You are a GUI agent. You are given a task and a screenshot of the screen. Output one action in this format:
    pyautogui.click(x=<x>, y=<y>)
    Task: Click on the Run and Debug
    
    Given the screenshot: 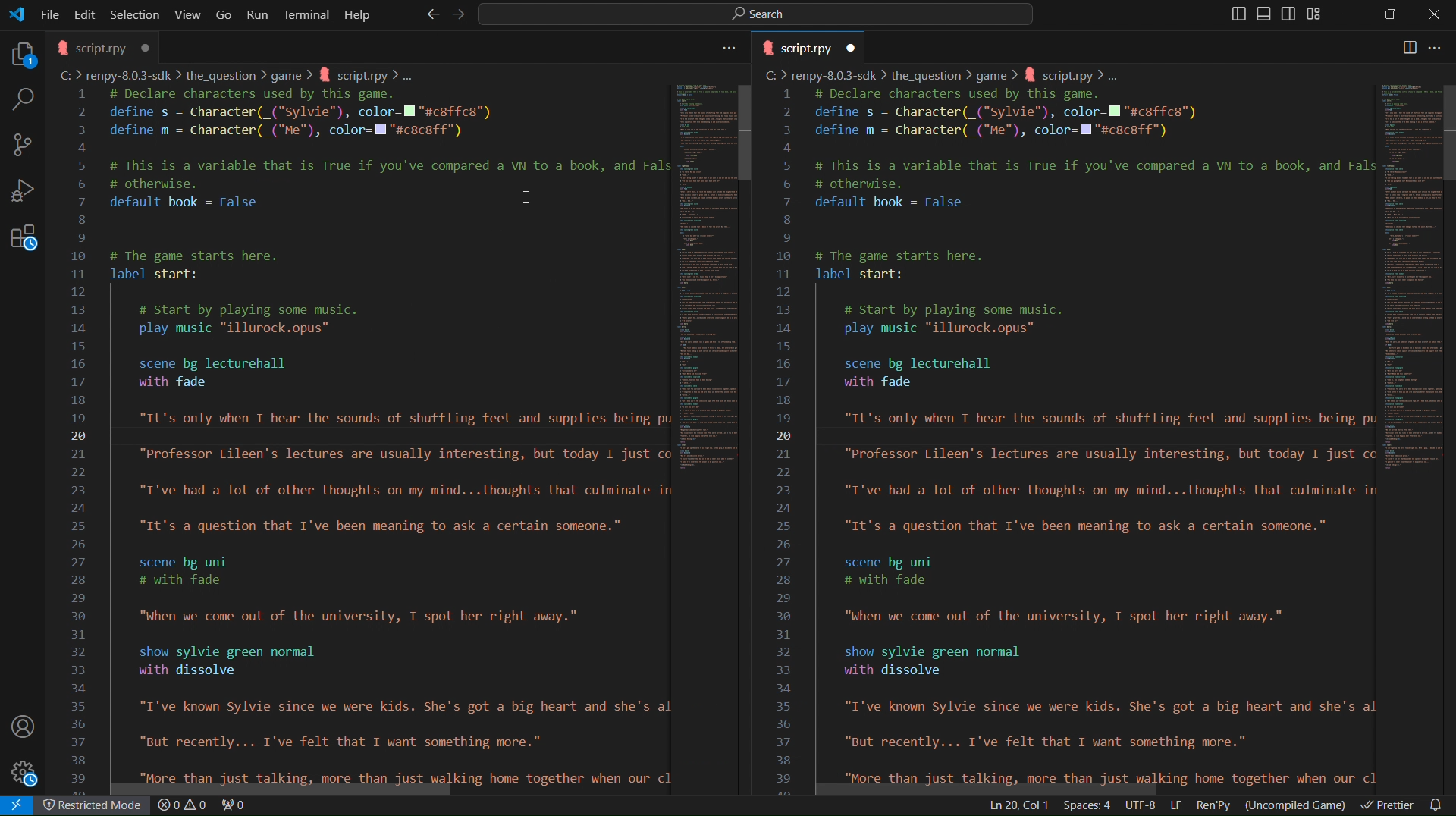 What is the action you would take?
    pyautogui.click(x=24, y=195)
    